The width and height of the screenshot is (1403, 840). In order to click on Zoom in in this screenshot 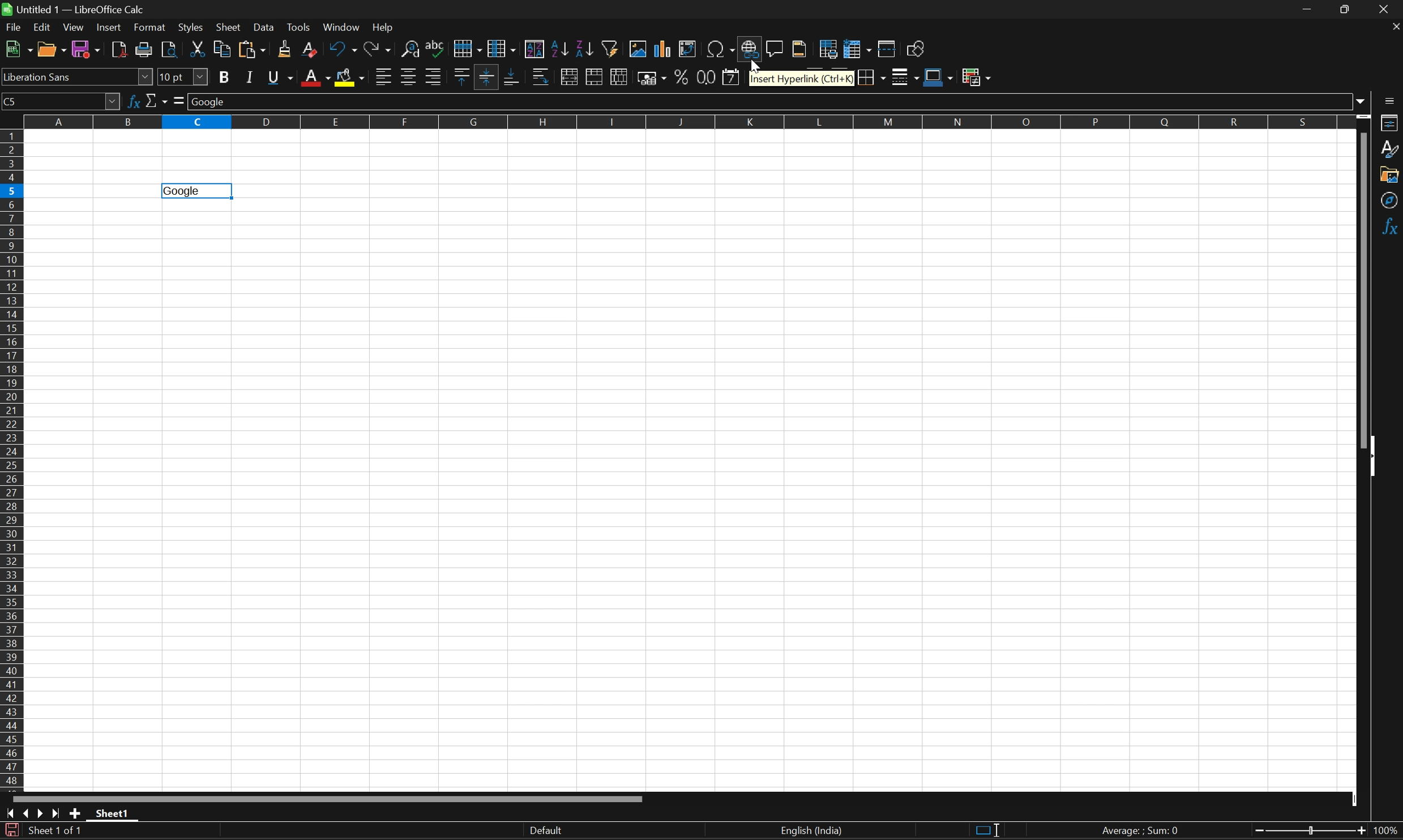, I will do `click(1254, 832)`.